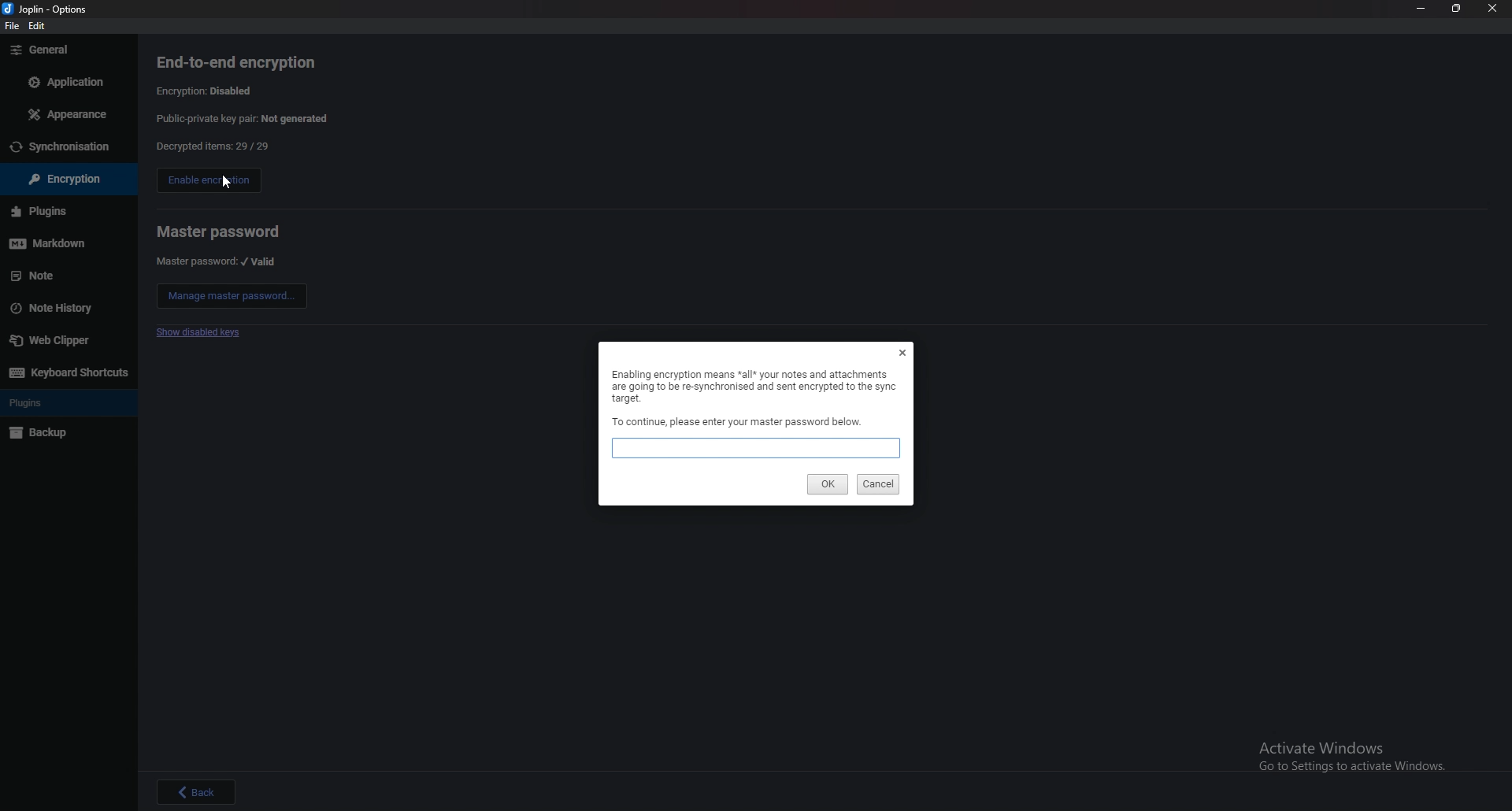  What do you see at coordinates (209, 91) in the screenshot?
I see `encryption disabled` at bounding box center [209, 91].